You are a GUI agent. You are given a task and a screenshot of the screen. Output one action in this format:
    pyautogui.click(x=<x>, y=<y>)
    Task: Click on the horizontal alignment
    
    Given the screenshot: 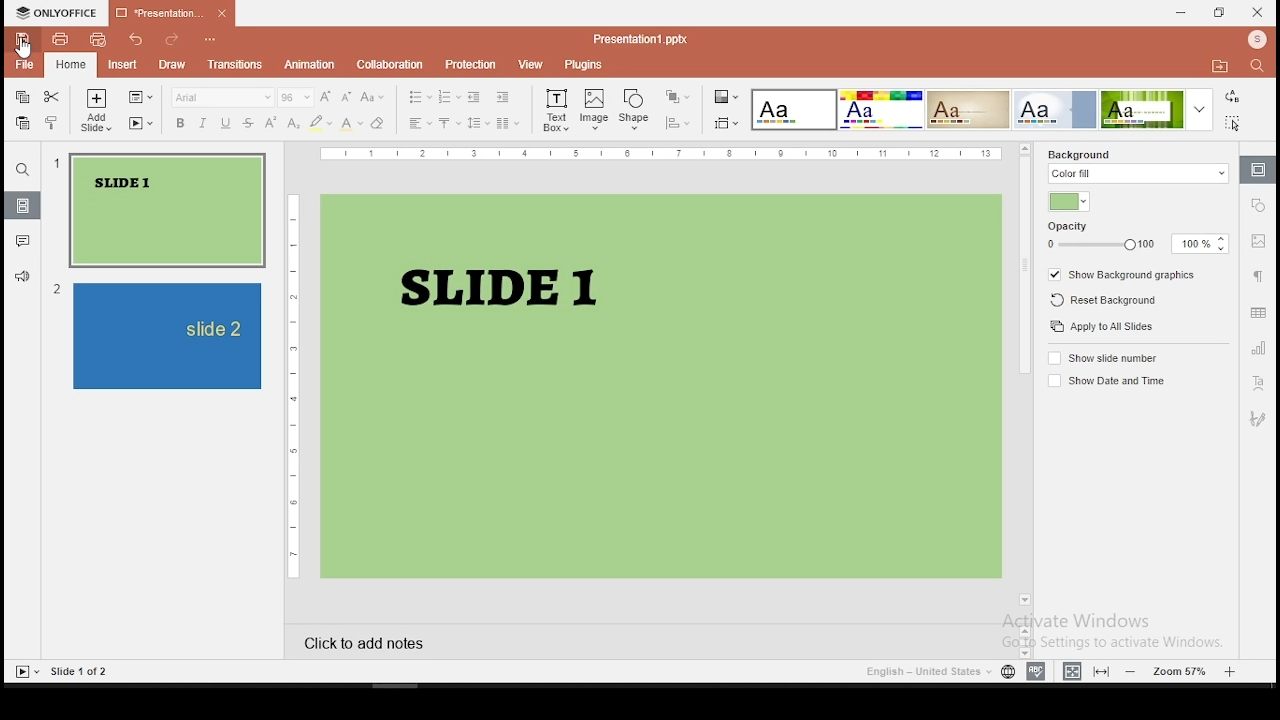 What is the action you would take?
    pyautogui.click(x=419, y=124)
    